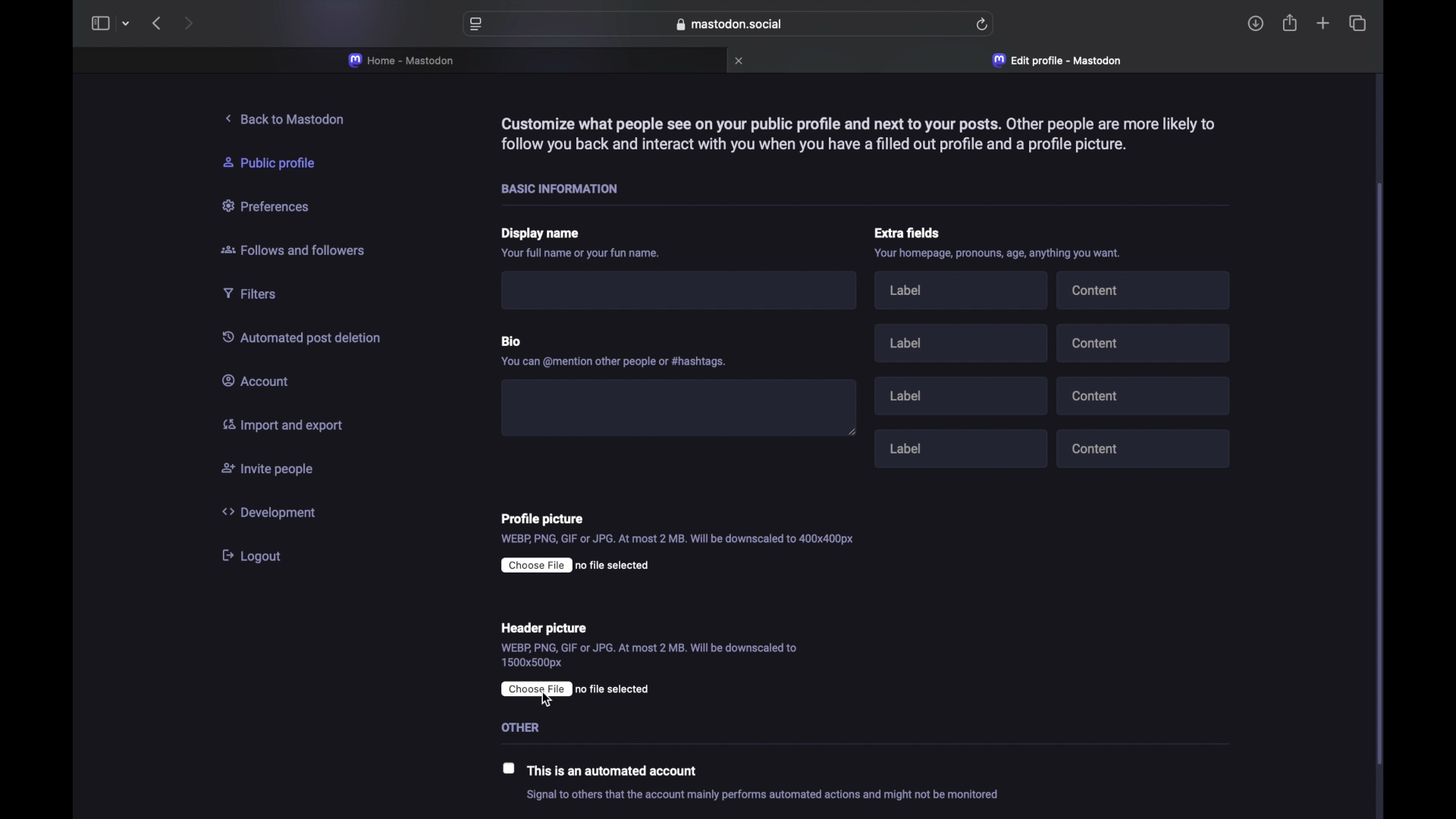 The height and width of the screenshot is (819, 1456). Describe the element at coordinates (1256, 24) in the screenshot. I see `downloads` at that location.